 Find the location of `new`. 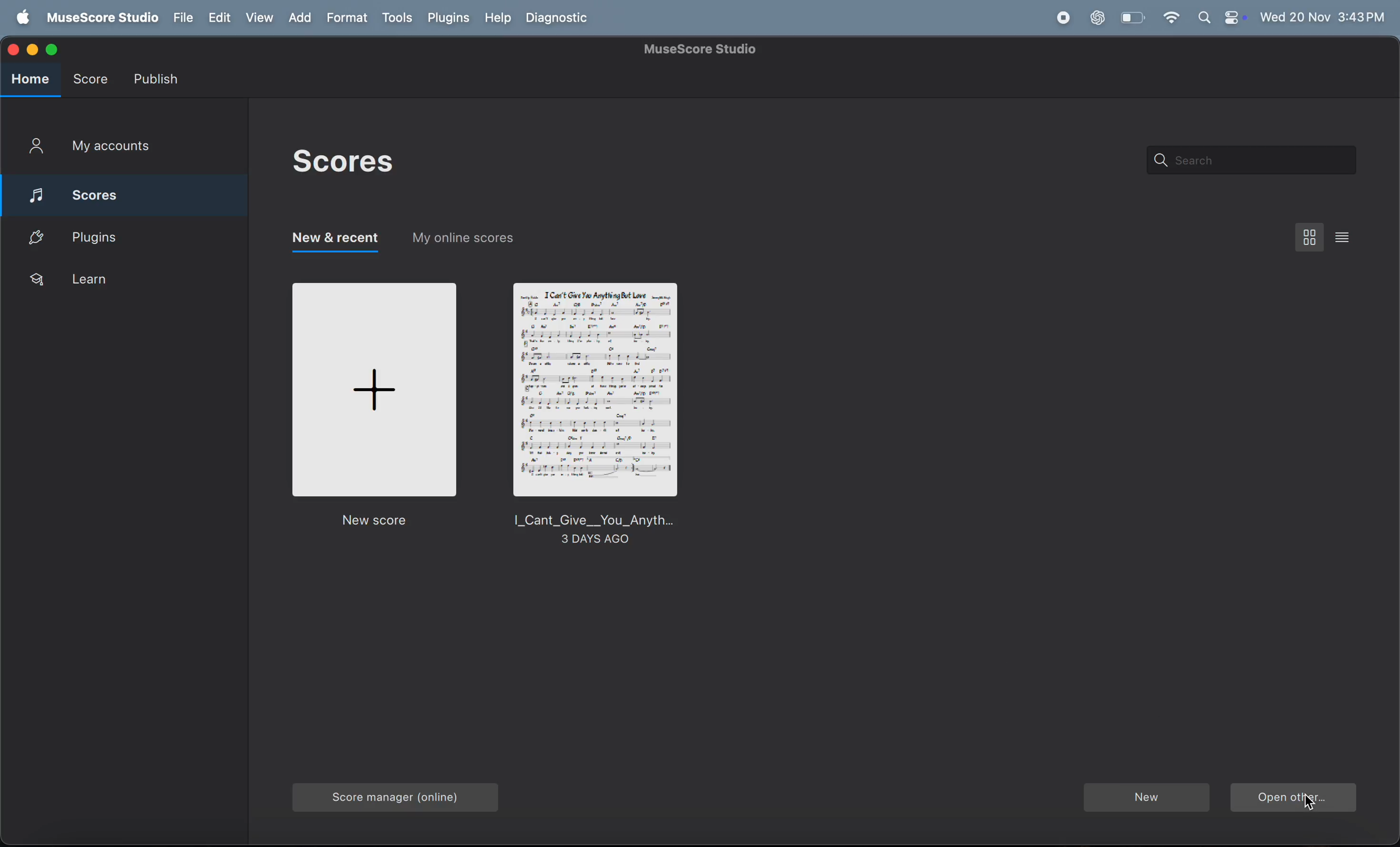

new is located at coordinates (1145, 796).